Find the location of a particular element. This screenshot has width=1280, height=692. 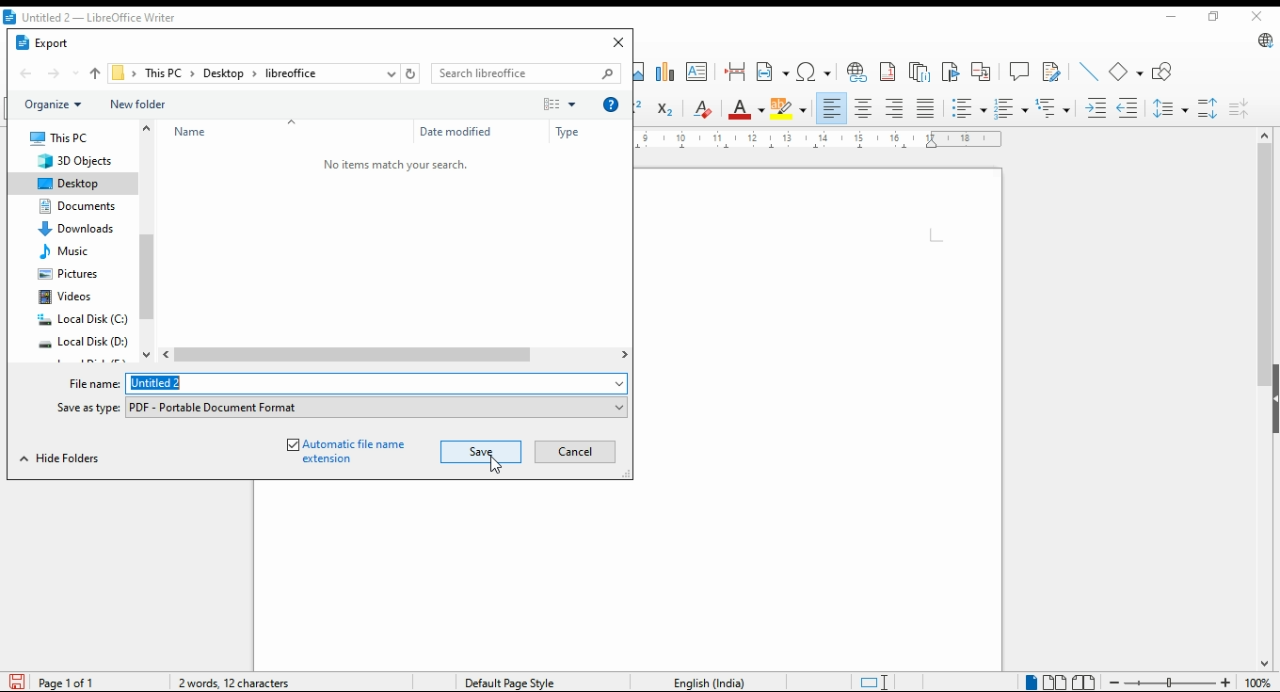

insert hyperlink is located at coordinates (857, 71).